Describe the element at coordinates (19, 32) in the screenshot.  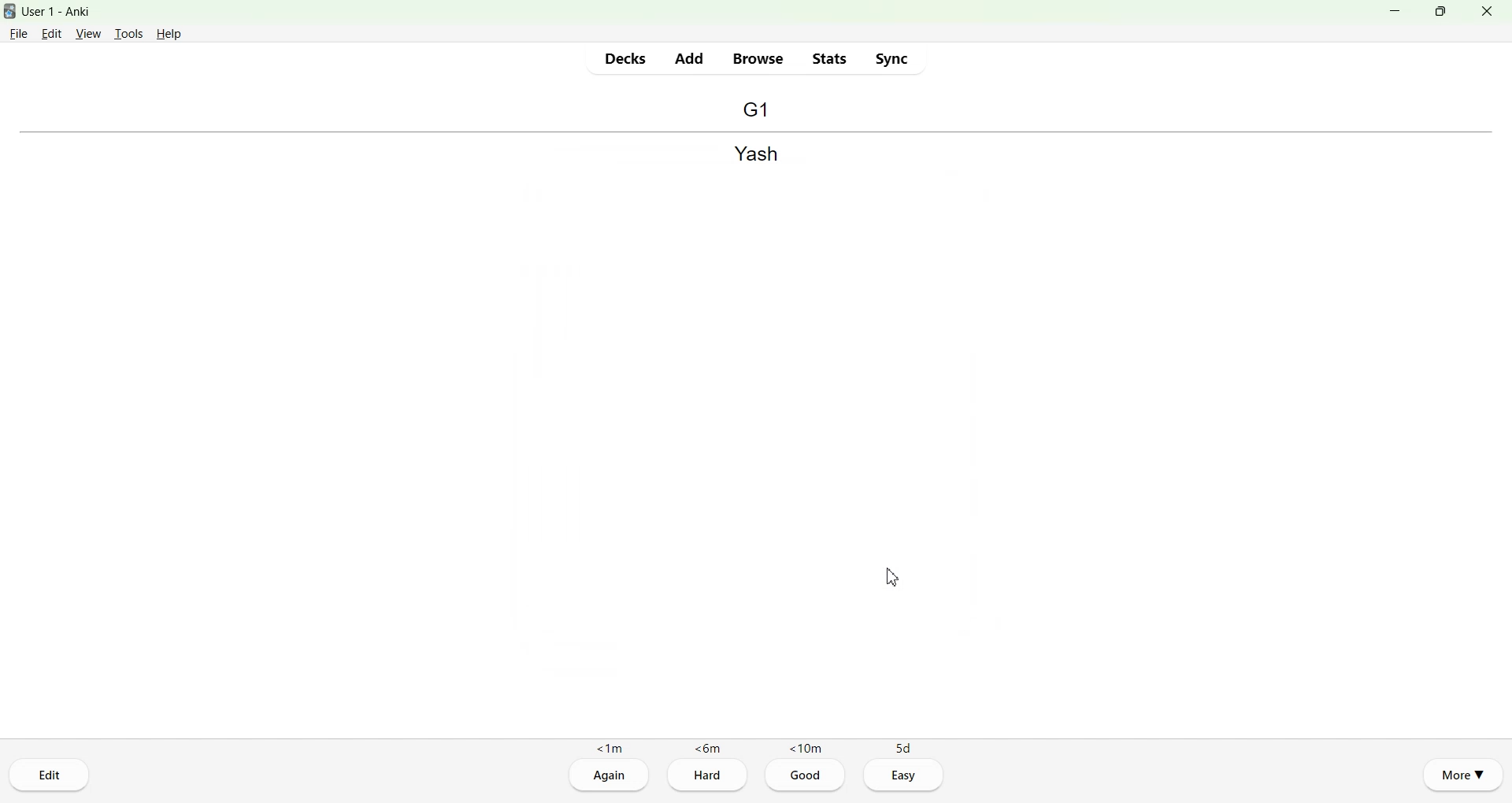
I see `File` at that location.